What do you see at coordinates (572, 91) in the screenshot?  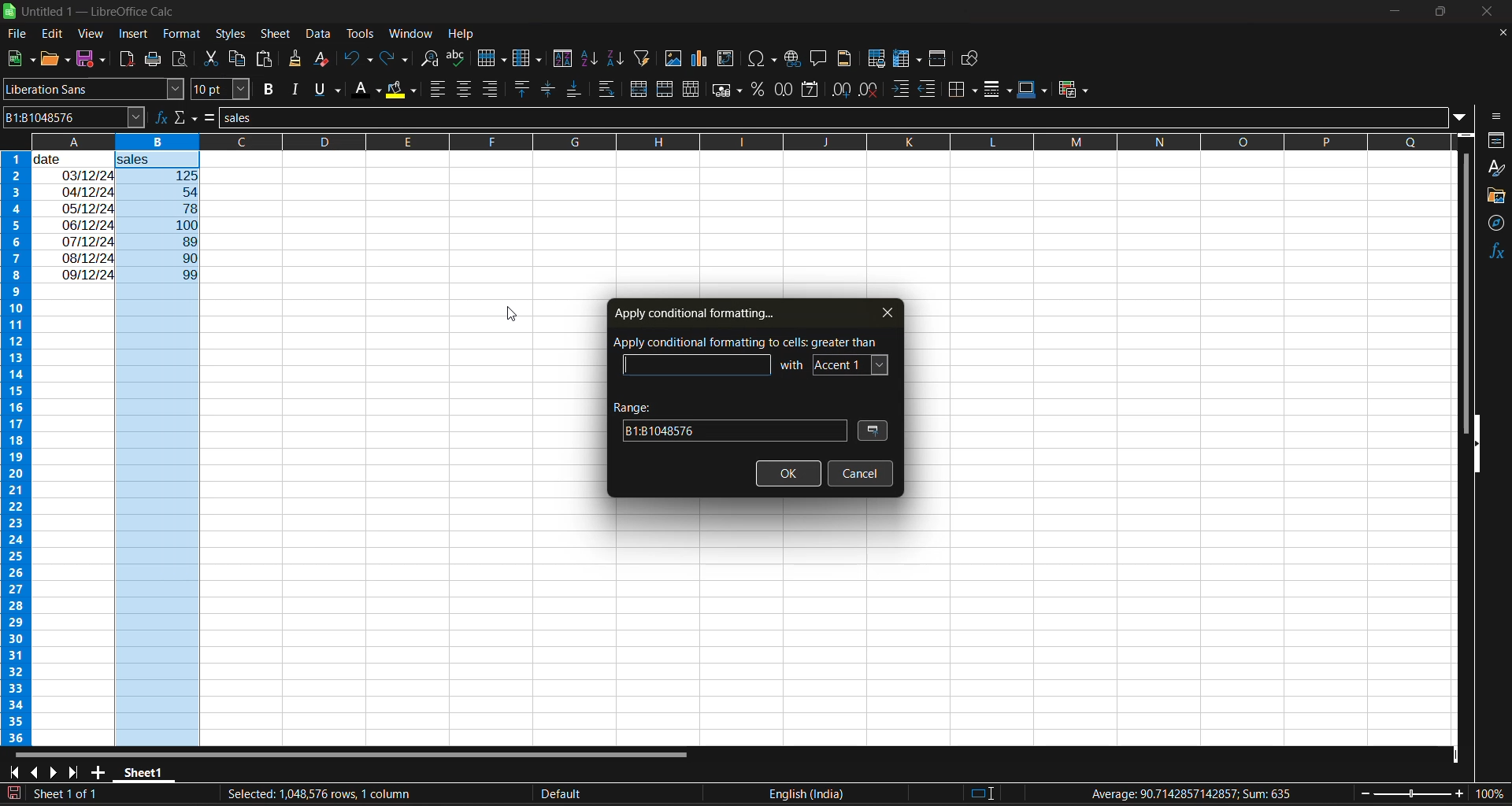 I see `align bottom` at bounding box center [572, 91].